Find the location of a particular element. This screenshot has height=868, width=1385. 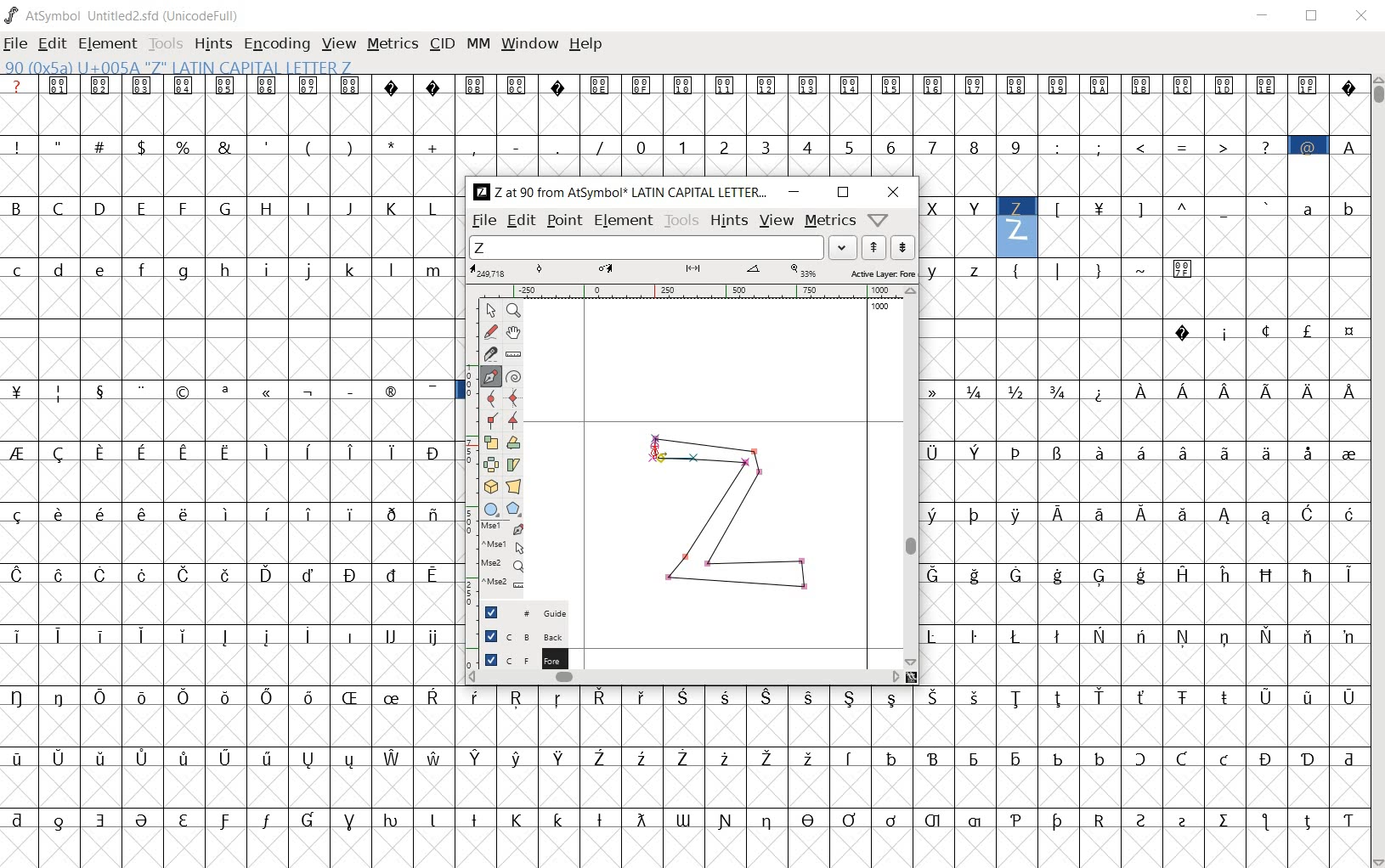

change whether spiro is active or not is located at coordinates (513, 375).